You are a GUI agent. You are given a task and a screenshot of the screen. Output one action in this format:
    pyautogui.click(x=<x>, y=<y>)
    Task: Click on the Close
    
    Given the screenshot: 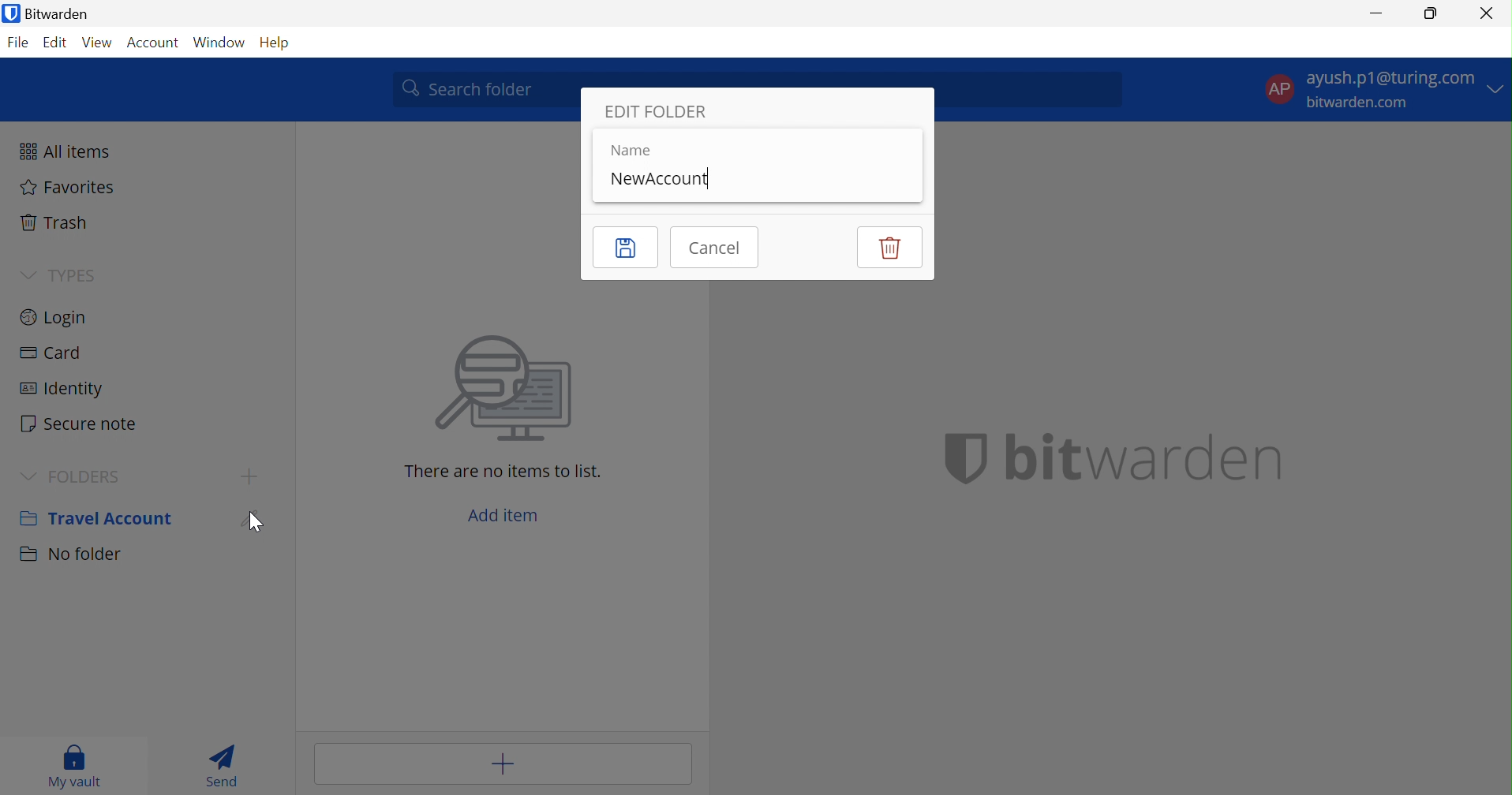 What is the action you would take?
    pyautogui.click(x=1487, y=13)
    